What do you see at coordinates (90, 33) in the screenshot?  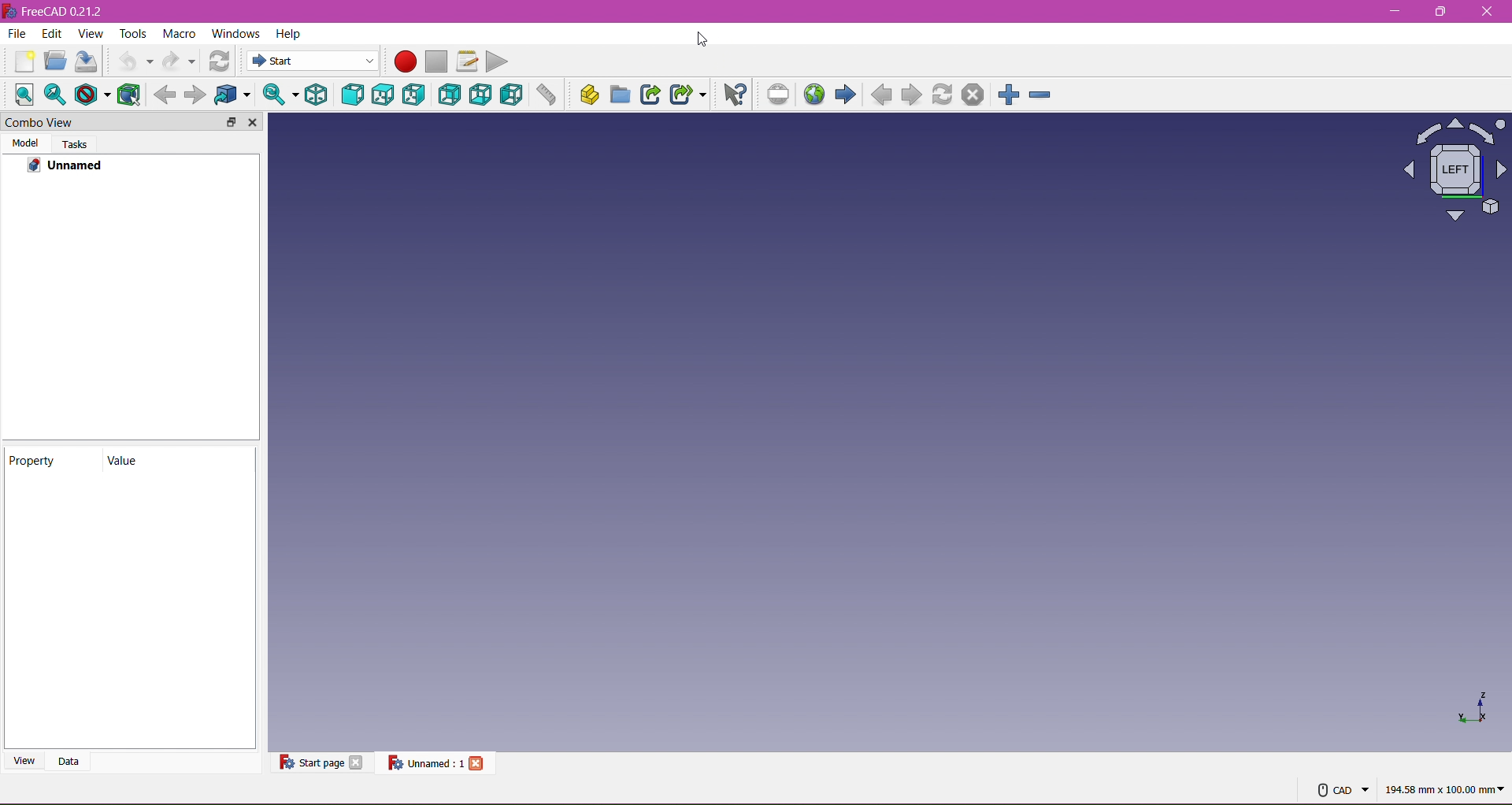 I see `View` at bounding box center [90, 33].